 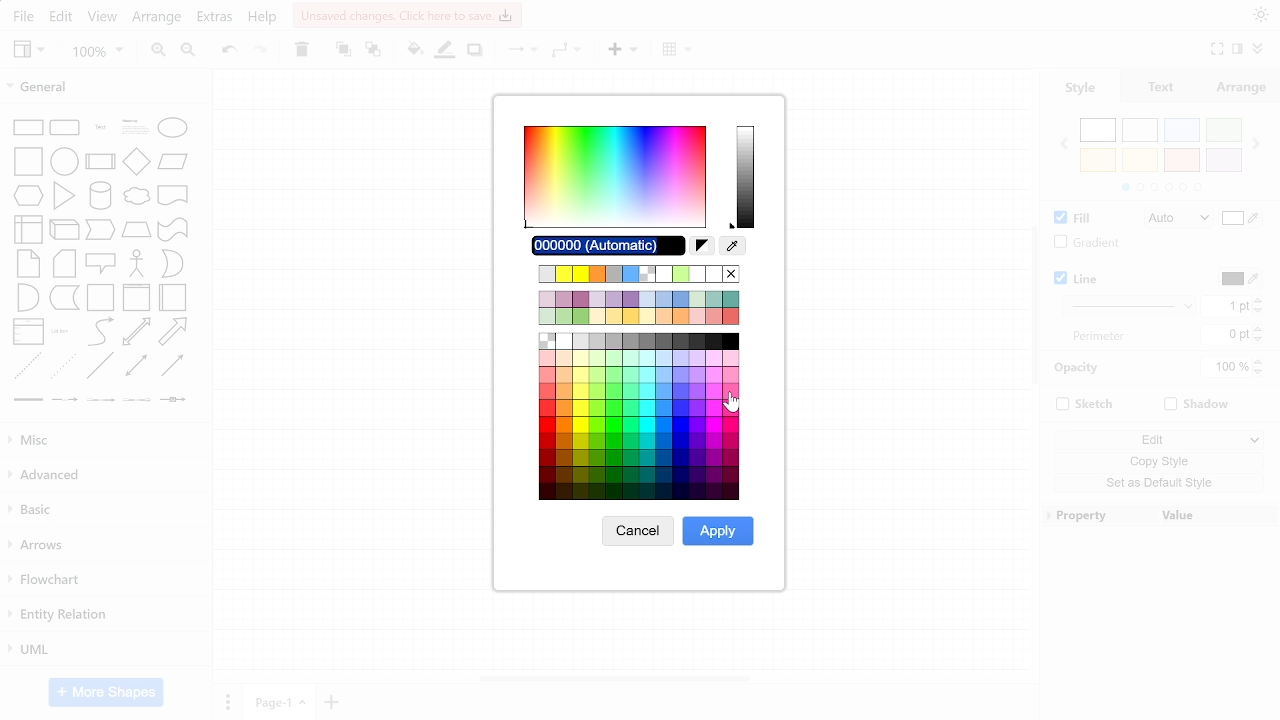 I want to click on apply, so click(x=717, y=531).